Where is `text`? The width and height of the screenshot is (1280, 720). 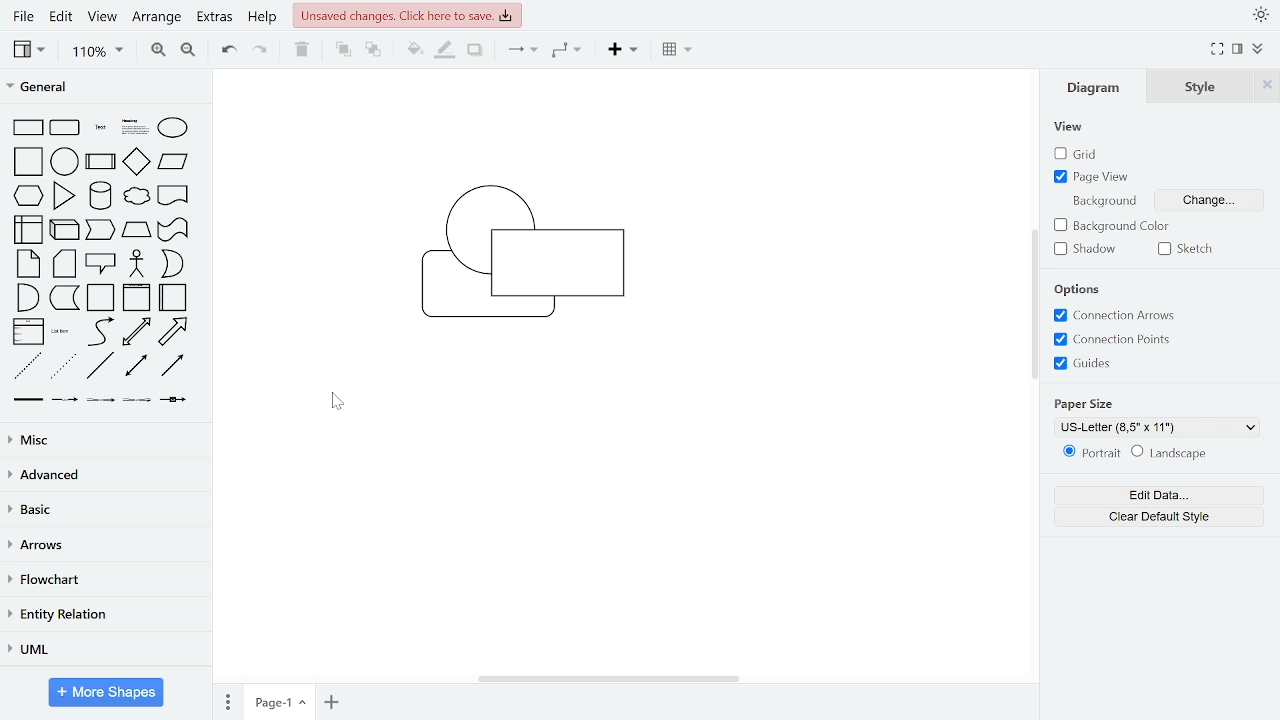 text is located at coordinates (99, 127).